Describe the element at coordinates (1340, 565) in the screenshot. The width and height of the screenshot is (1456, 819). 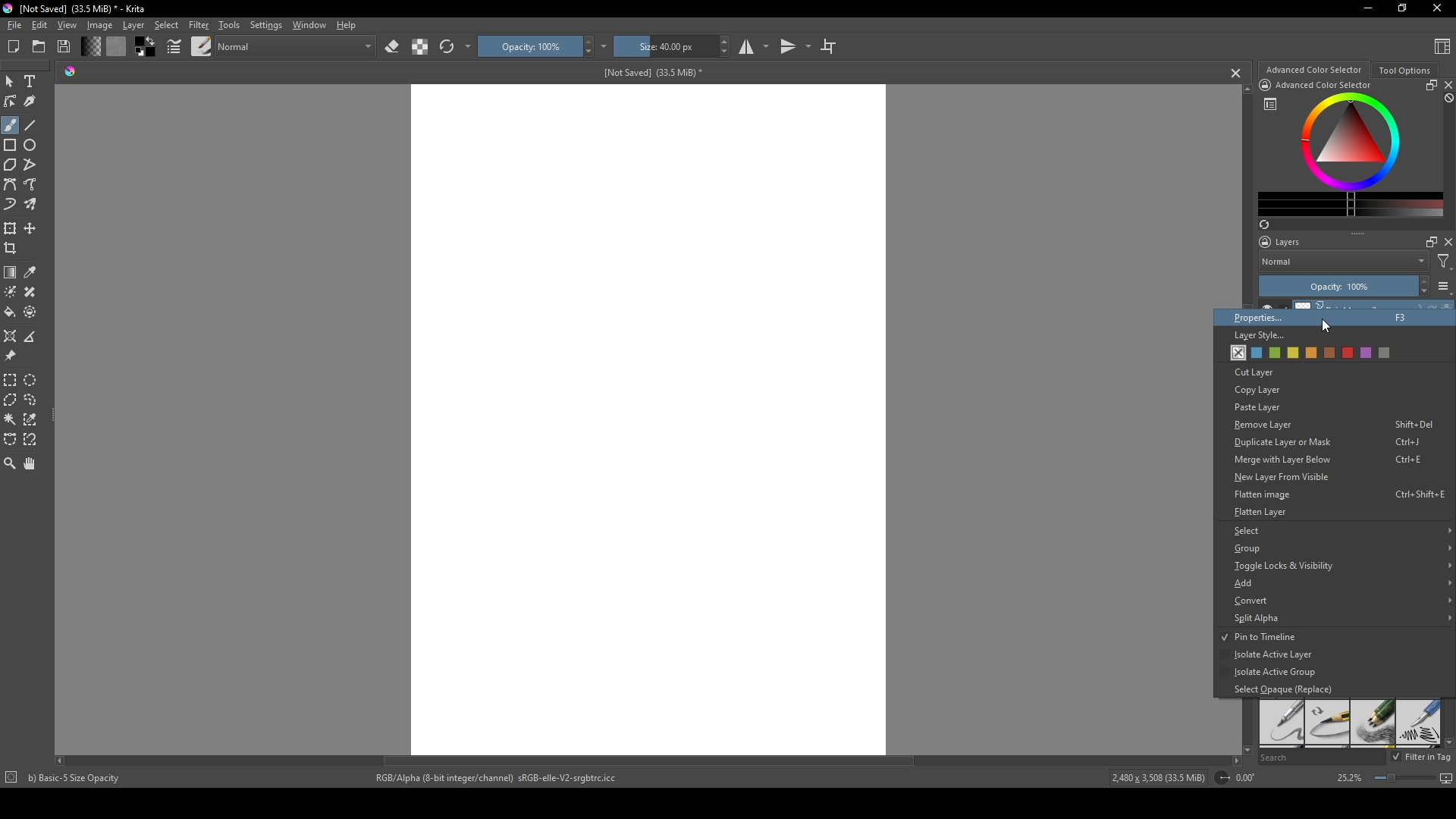
I see `Toggle Locks & Visibility ` at that location.